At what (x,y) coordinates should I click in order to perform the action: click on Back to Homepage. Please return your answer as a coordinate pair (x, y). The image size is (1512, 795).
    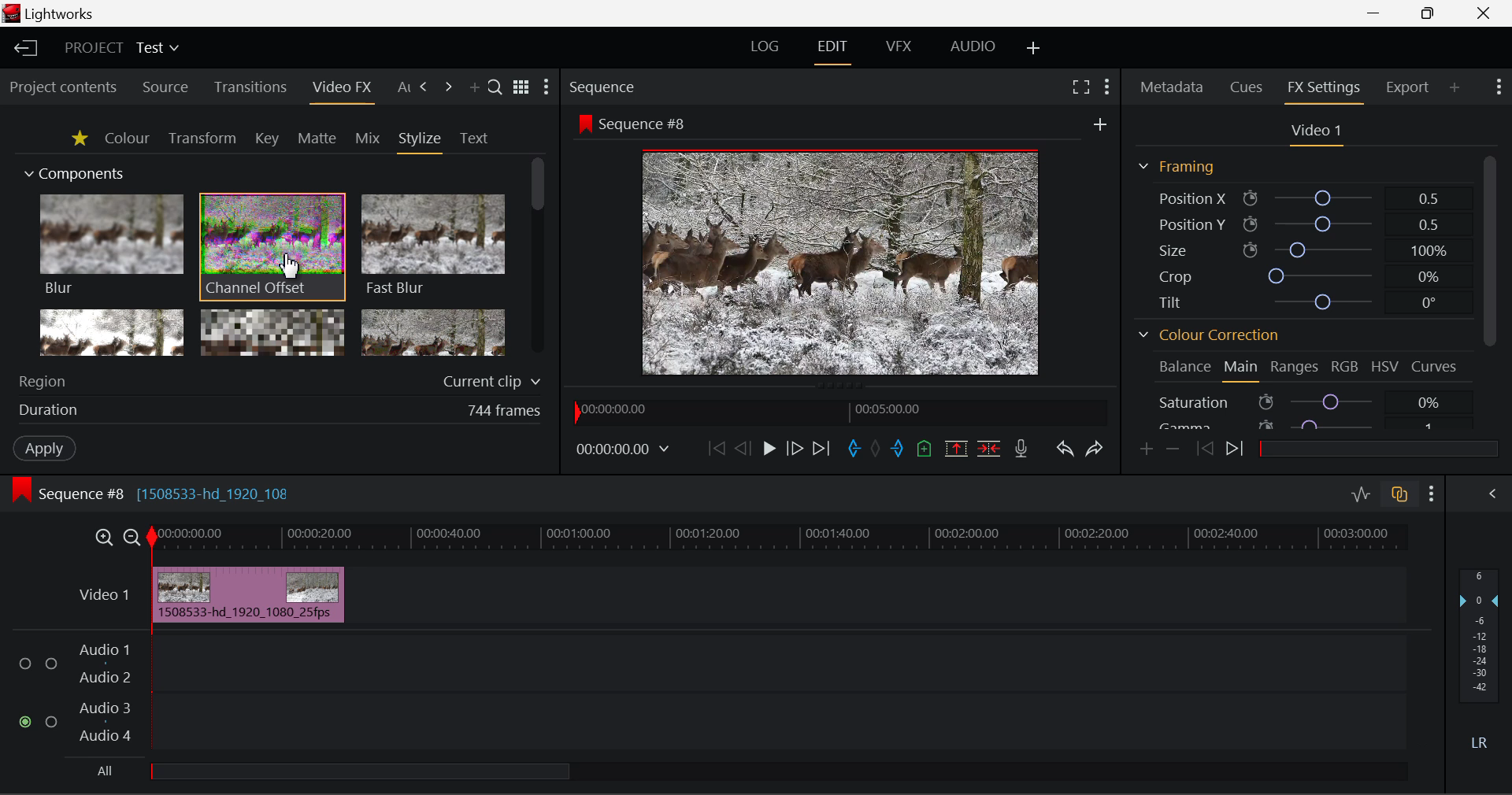
    Looking at the image, I should click on (24, 49).